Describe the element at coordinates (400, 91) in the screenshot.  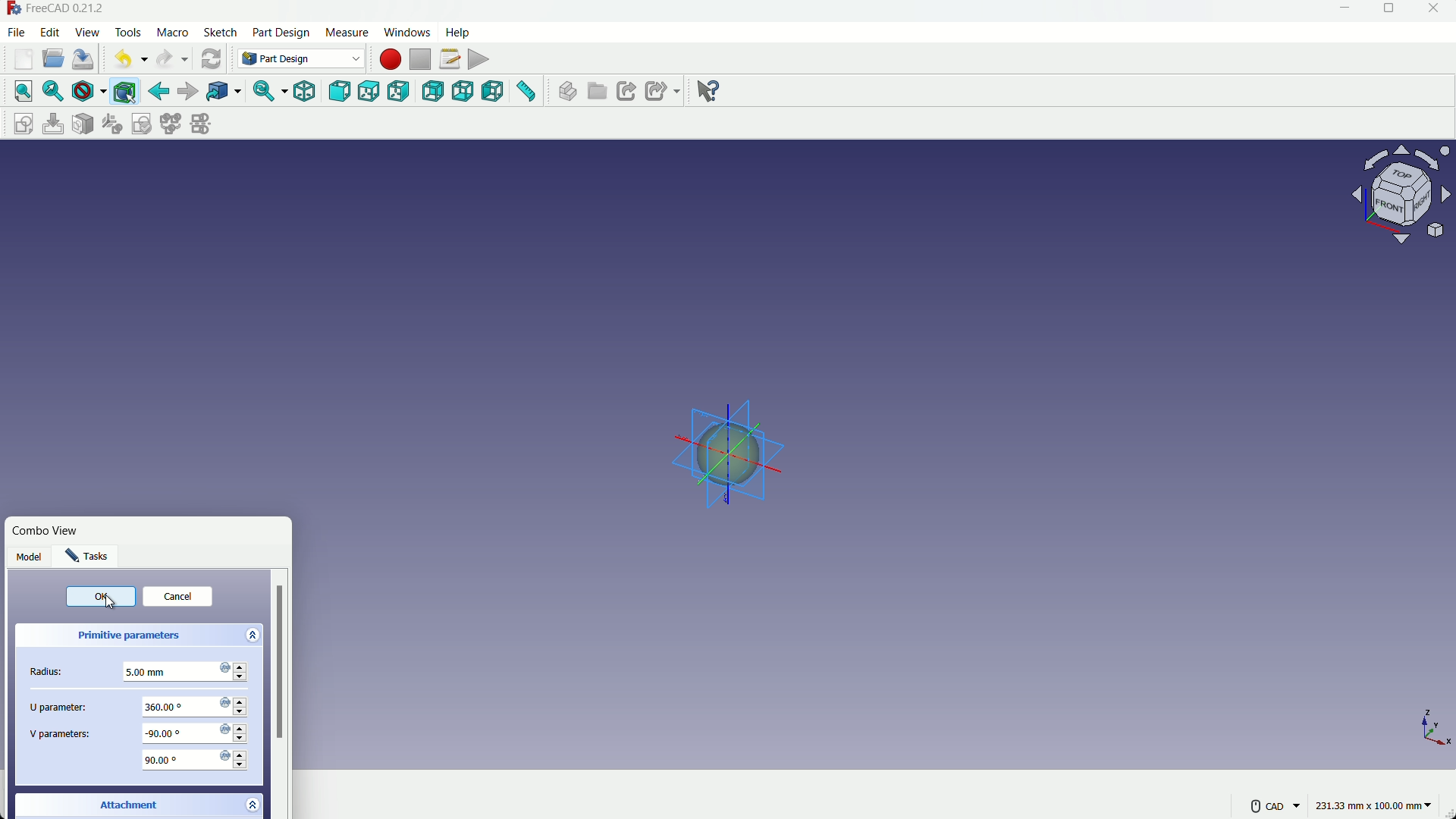
I see `right view` at that location.